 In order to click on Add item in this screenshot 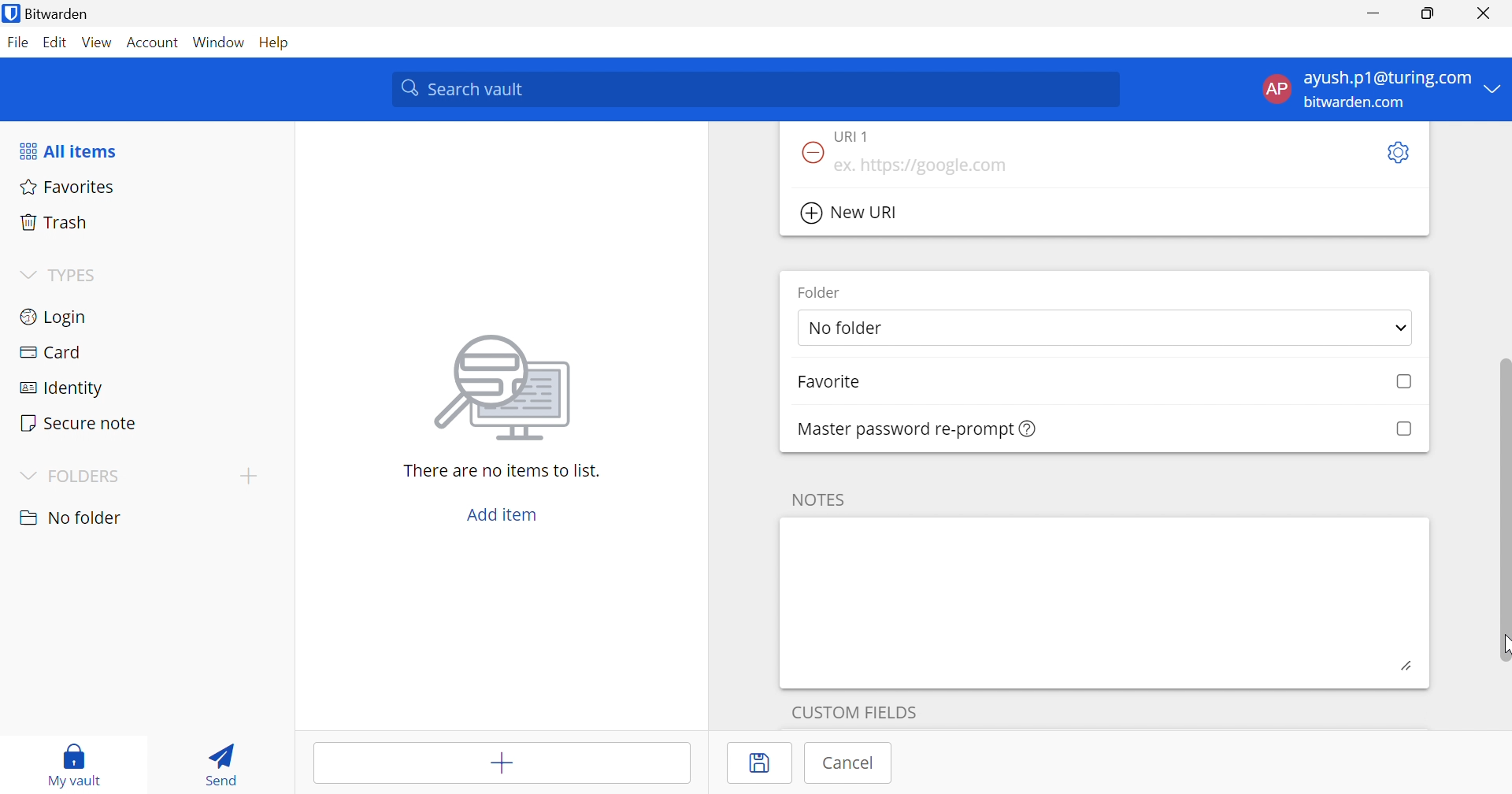, I will do `click(503, 765)`.